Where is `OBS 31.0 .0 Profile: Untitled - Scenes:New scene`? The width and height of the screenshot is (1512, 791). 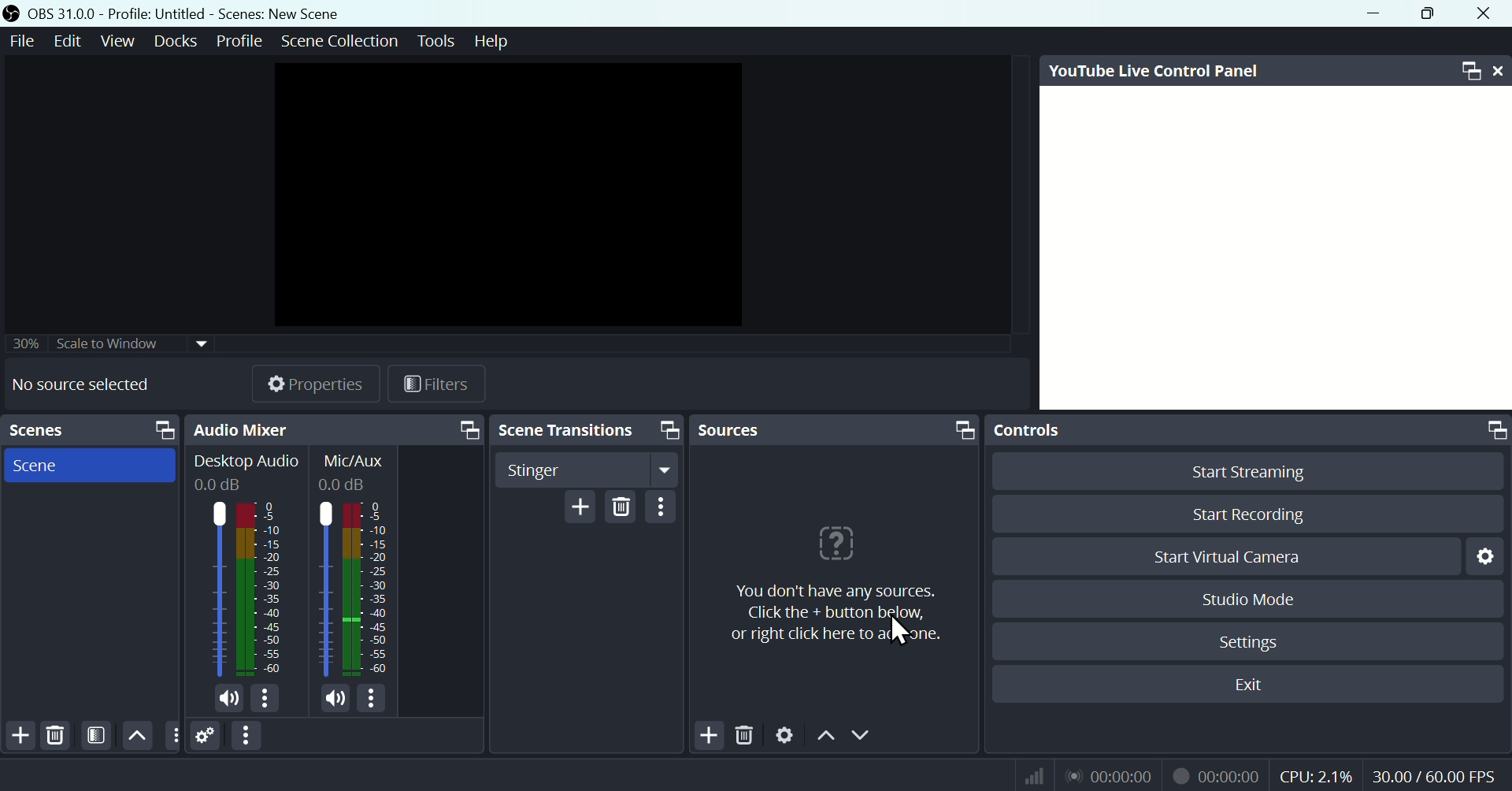 OBS 31.0 .0 Profile: Untitled - Scenes:New scene is located at coordinates (187, 13).